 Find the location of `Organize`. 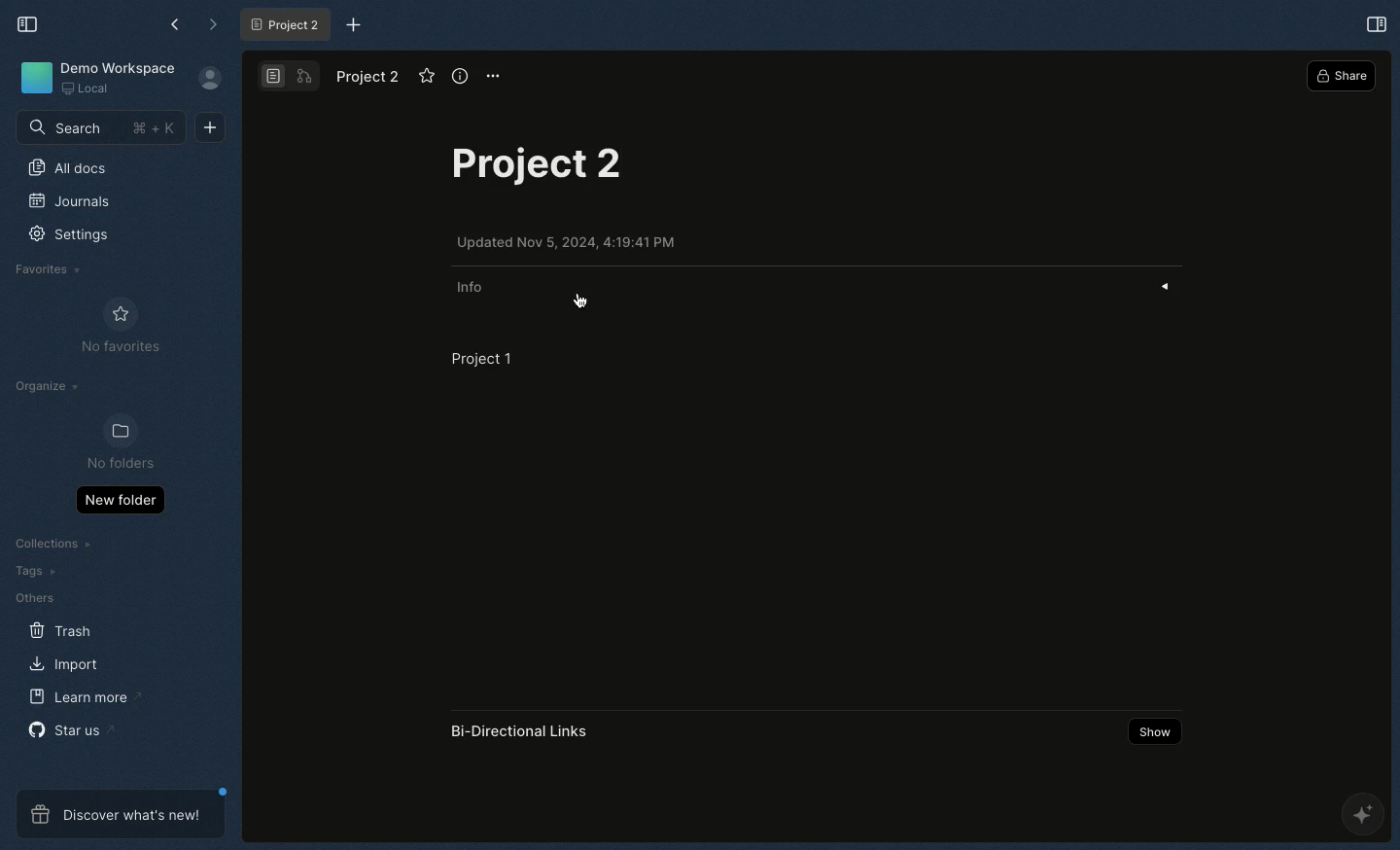

Organize is located at coordinates (51, 385).